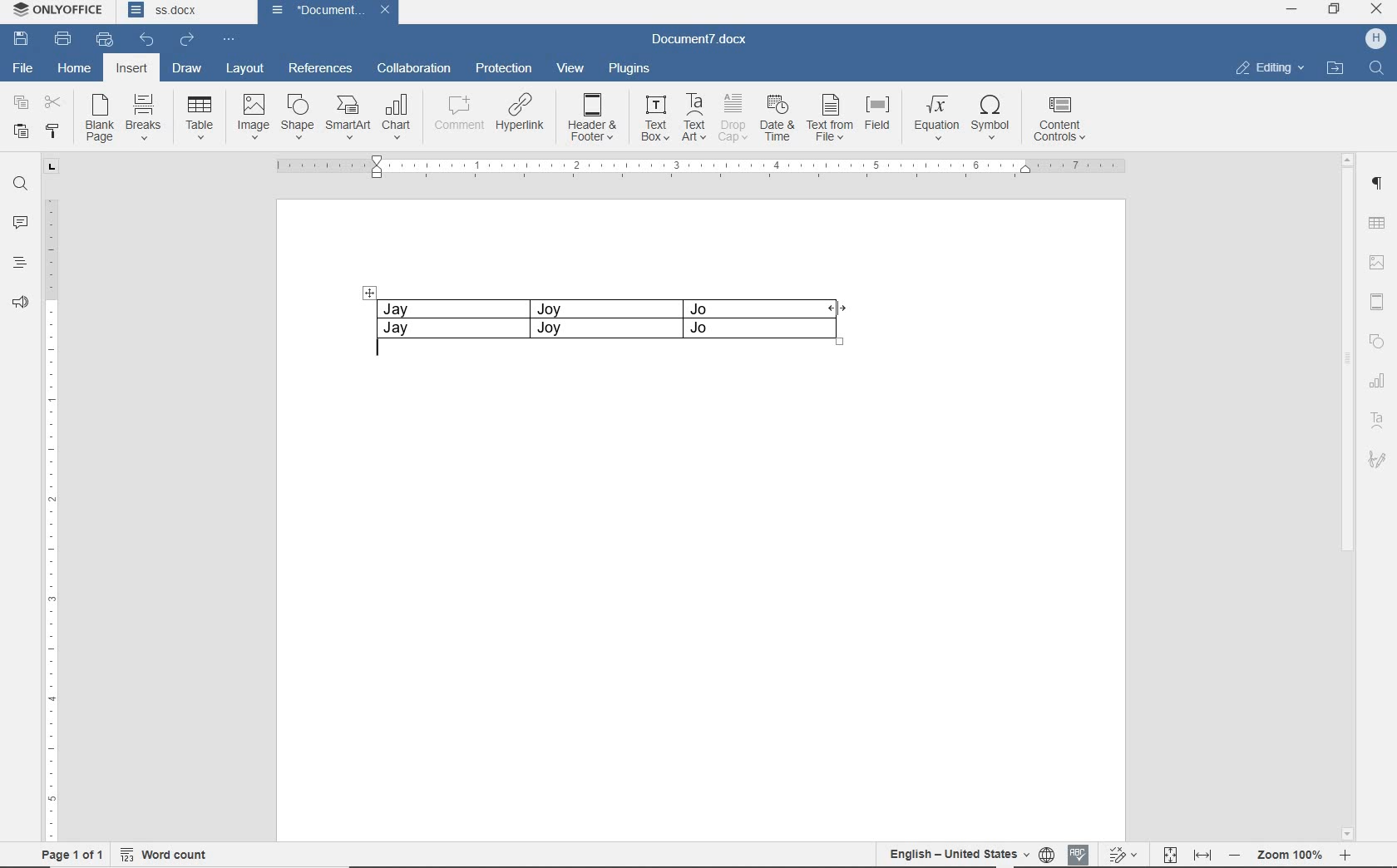 Image resolution: width=1397 pixels, height=868 pixels. I want to click on FIND, so click(1377, 71).